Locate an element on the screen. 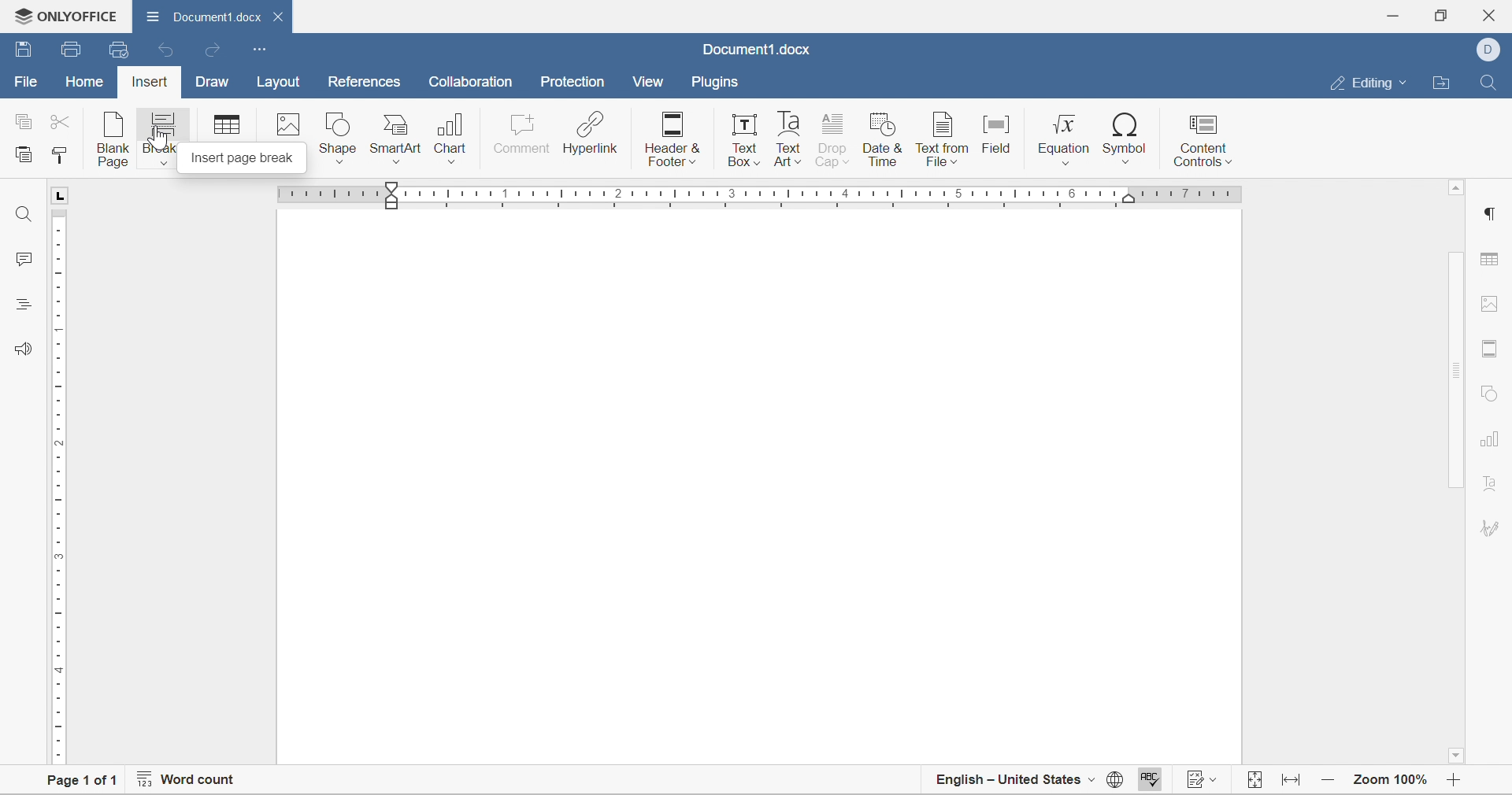 This screenshot has height=795, width=1512. Document.docx is located at coordinates (754, 51).